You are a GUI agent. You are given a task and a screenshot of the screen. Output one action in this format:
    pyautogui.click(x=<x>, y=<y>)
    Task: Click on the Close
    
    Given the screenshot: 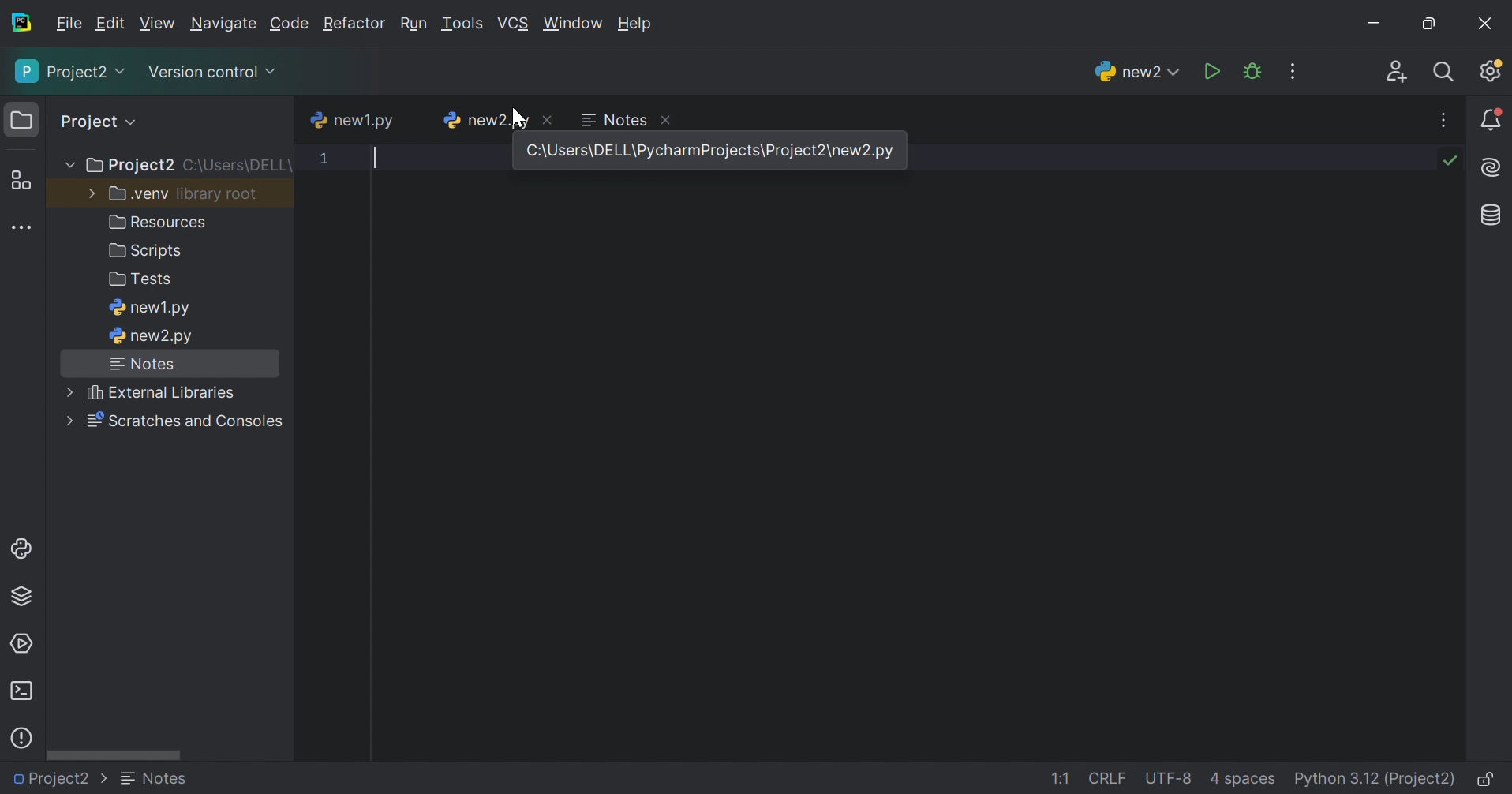 What is the action you would take?
    pyautogui.click(x=1488, y=22)
    